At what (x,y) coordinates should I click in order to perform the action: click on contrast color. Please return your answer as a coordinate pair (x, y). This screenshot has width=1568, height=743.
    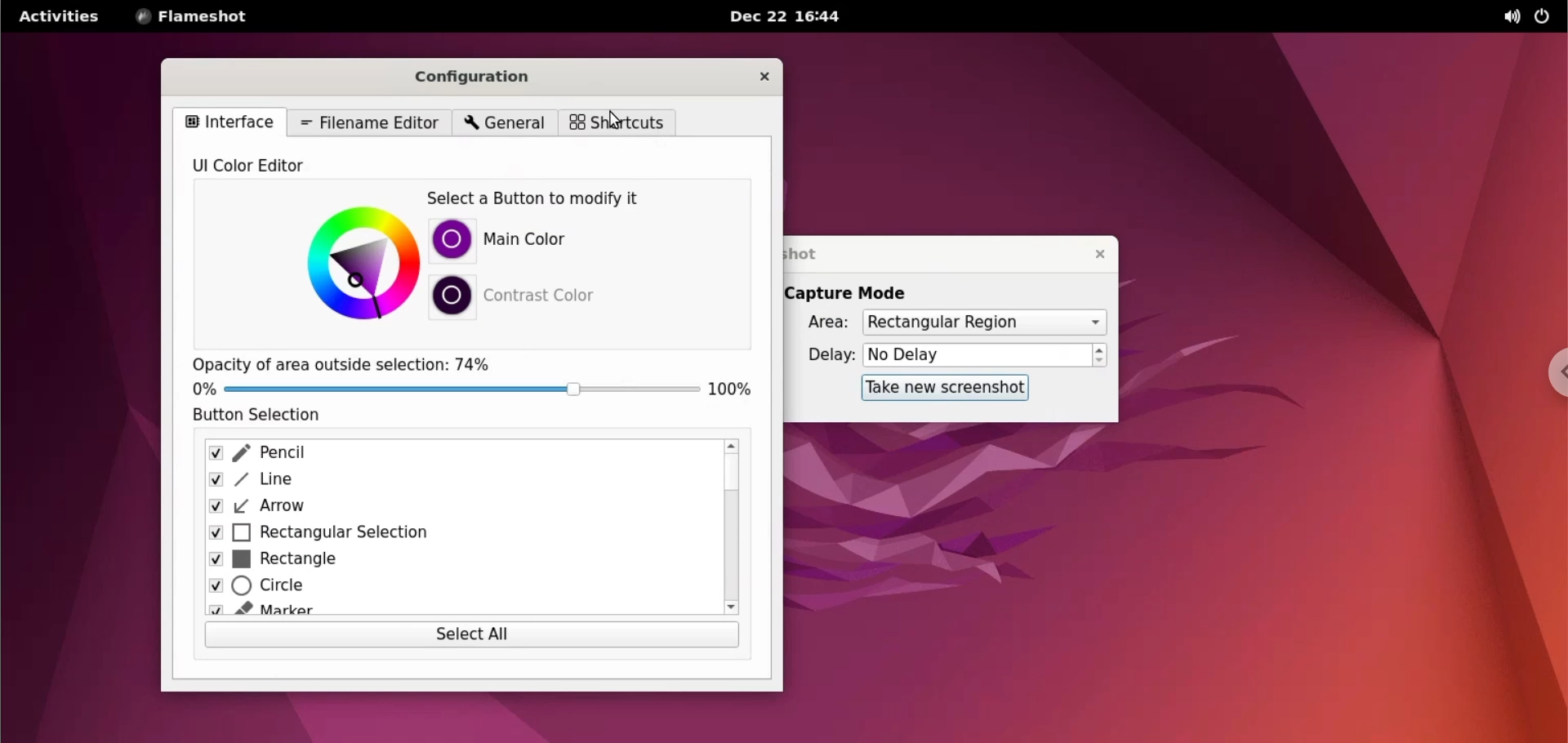
    Looking at the image, I should click on (540, 301).